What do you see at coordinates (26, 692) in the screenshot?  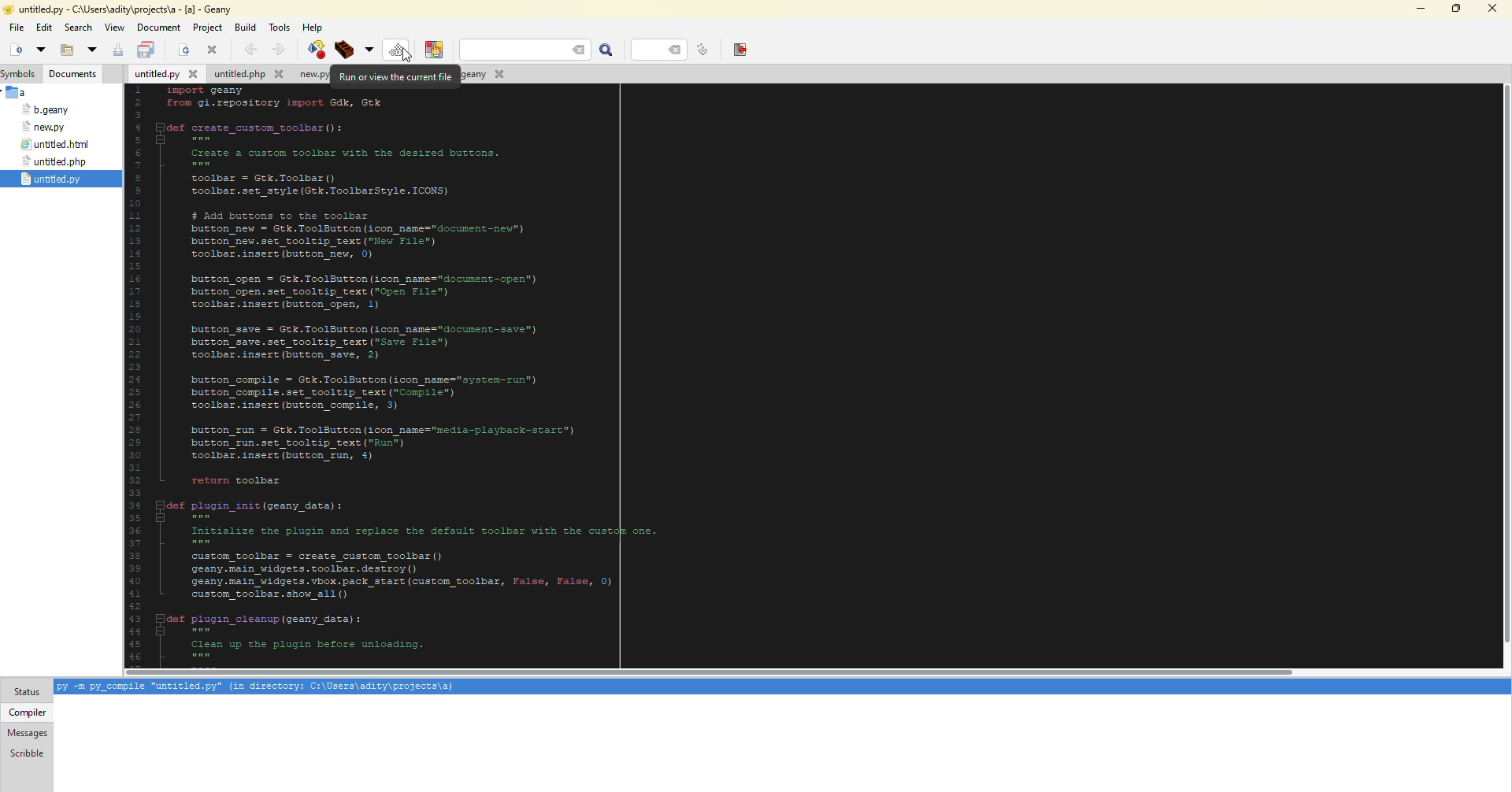 I see `status` at bounding box center [26, 692].